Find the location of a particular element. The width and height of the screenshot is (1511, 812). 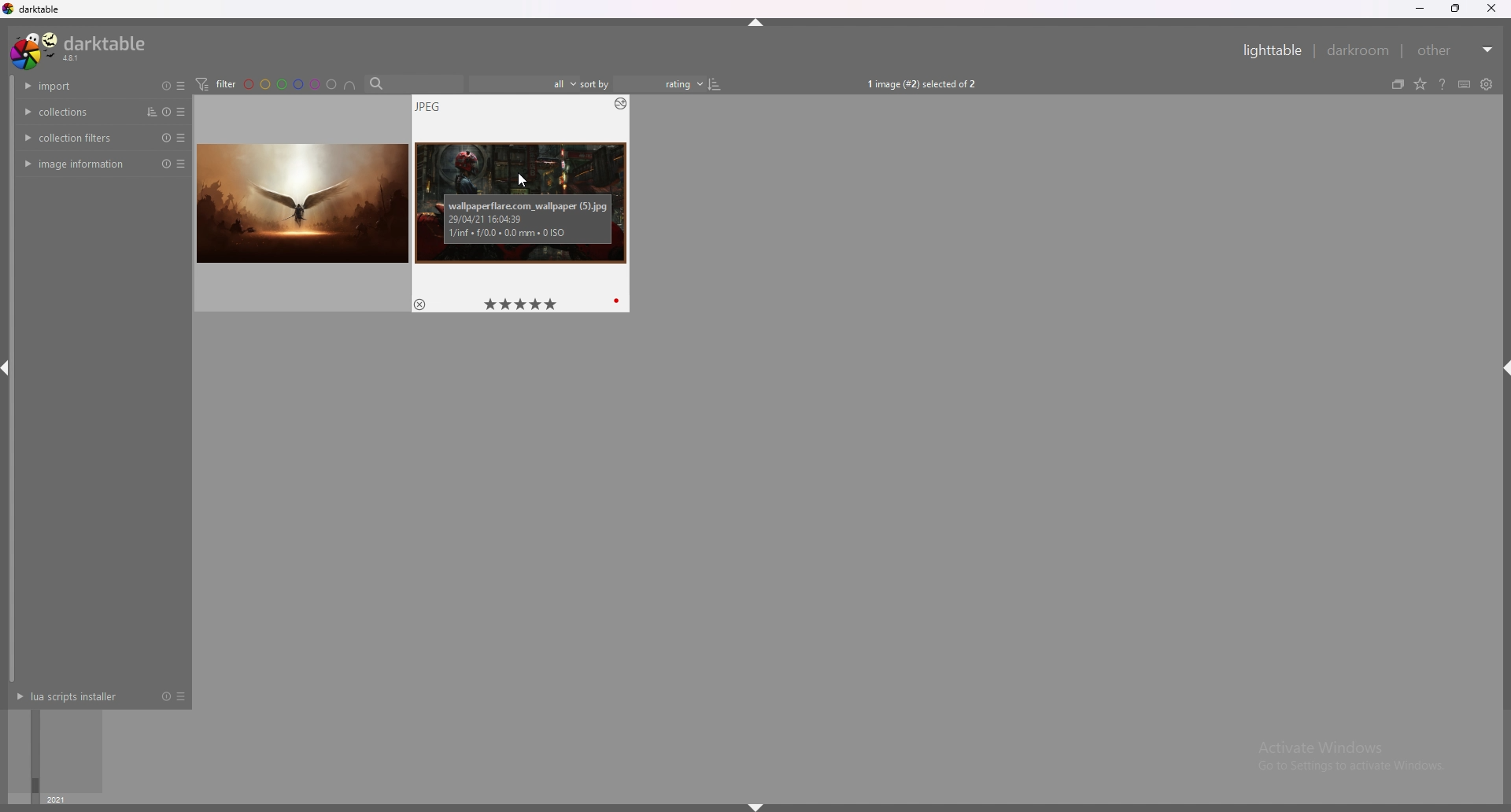

sort by rating is located at coordinates (669, 84).